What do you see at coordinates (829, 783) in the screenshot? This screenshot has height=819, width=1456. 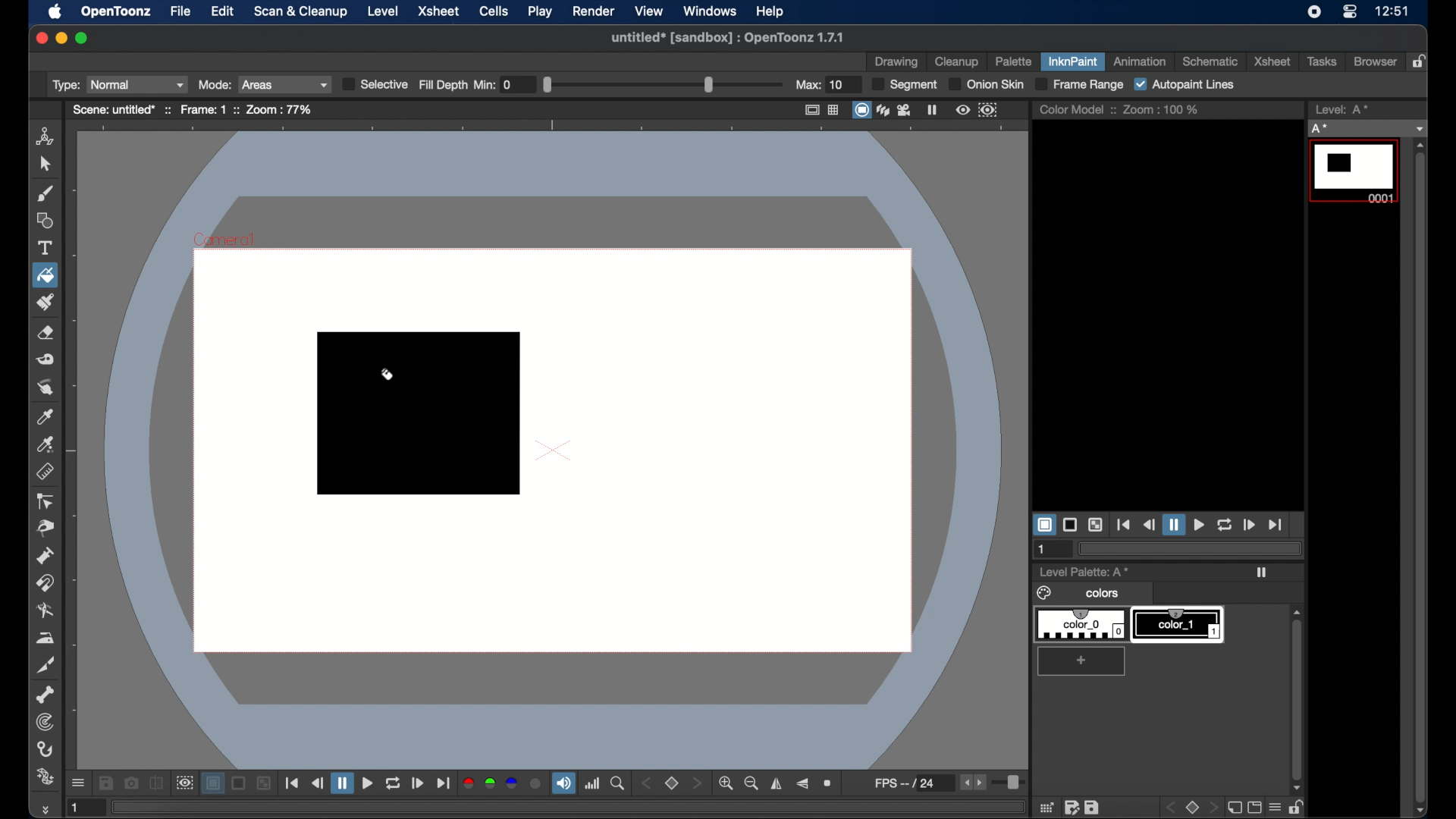 I see `reset view` at bounding box center [829, 783].